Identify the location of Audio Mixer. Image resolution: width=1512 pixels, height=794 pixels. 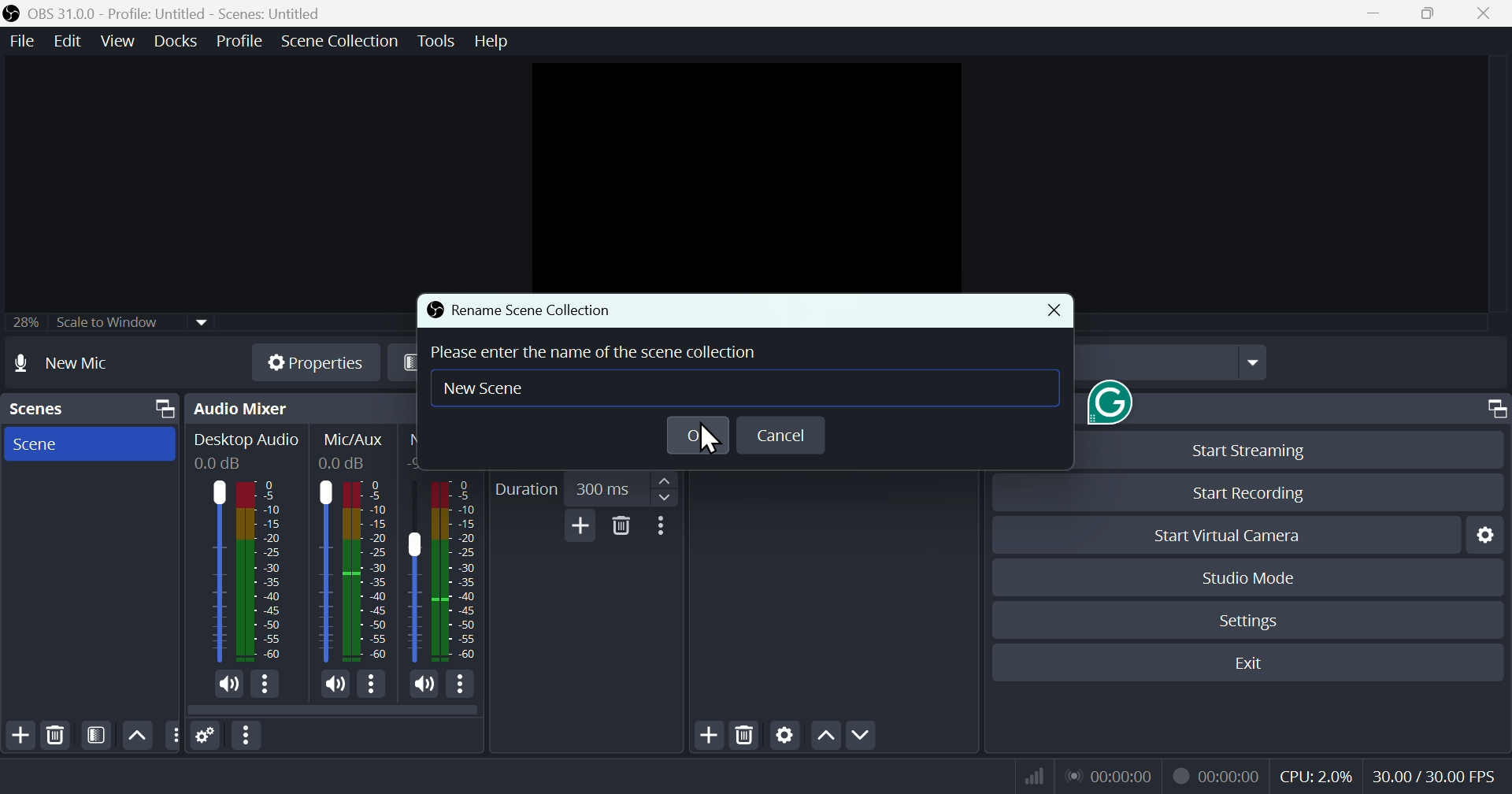
(292, 408).